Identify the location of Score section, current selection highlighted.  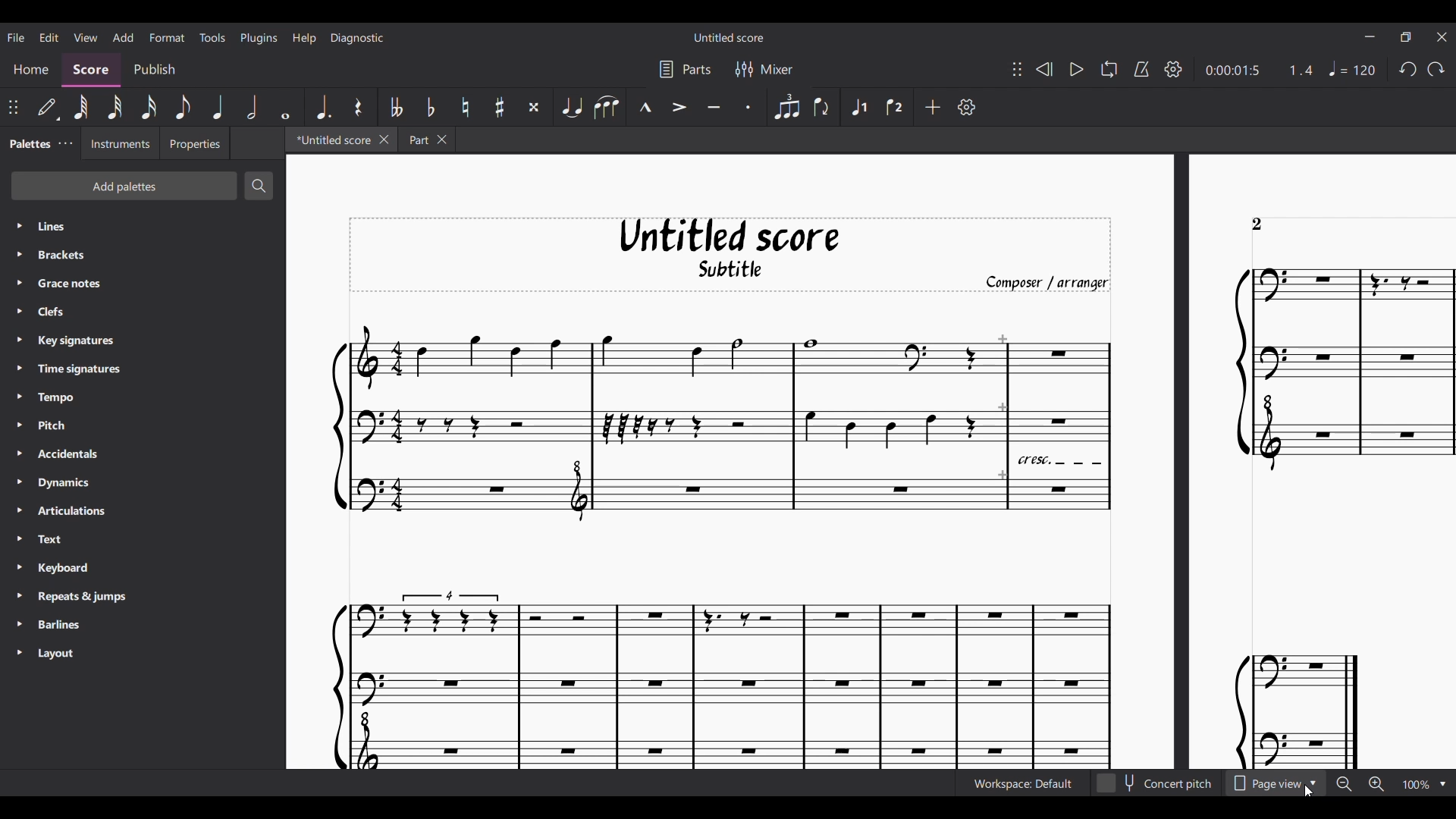
(91, 71).